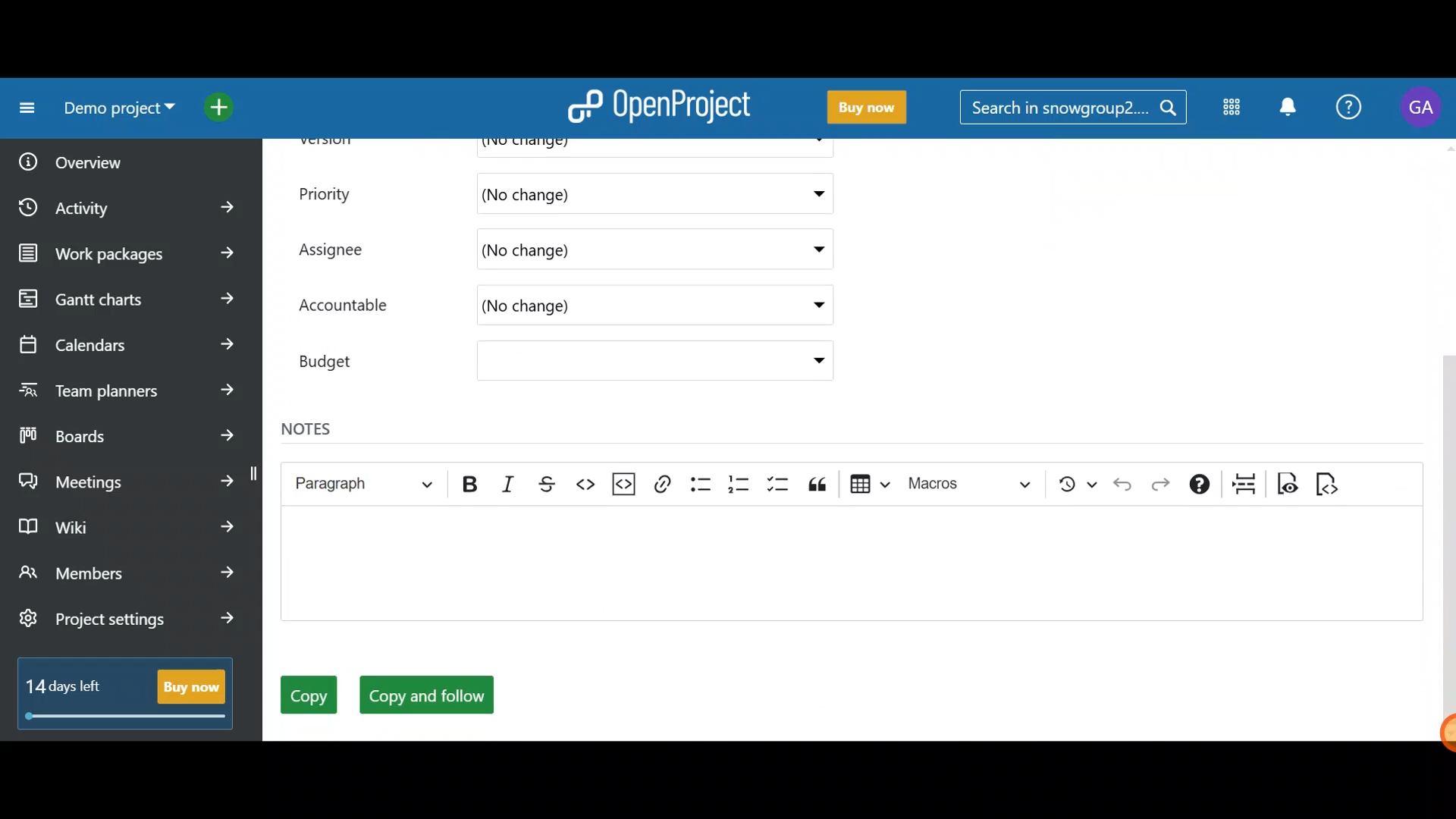  I want to click on Open quick add menu, so click(223, 104).